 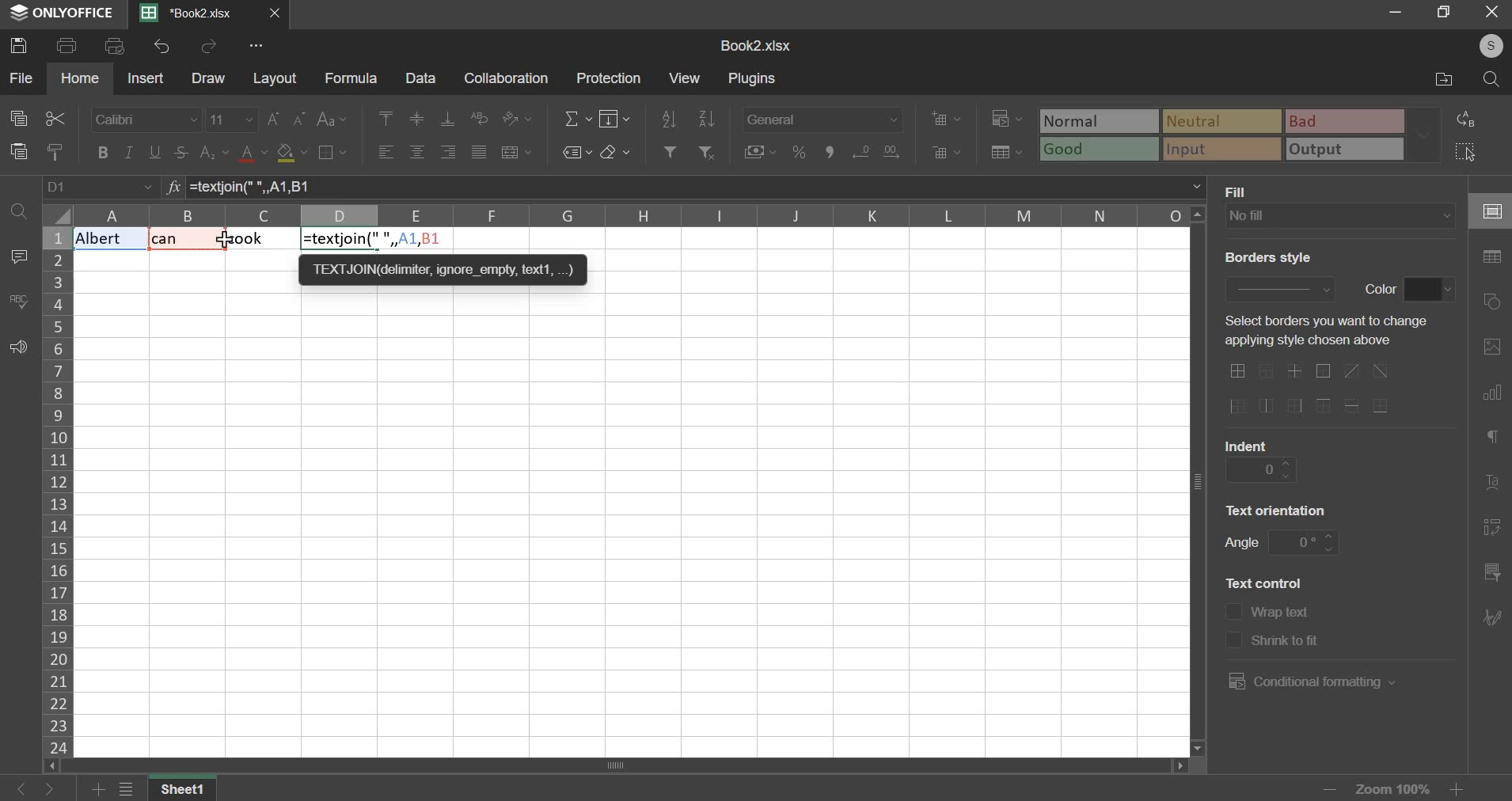 I want to click on indent, so click(x=1261, y=469).